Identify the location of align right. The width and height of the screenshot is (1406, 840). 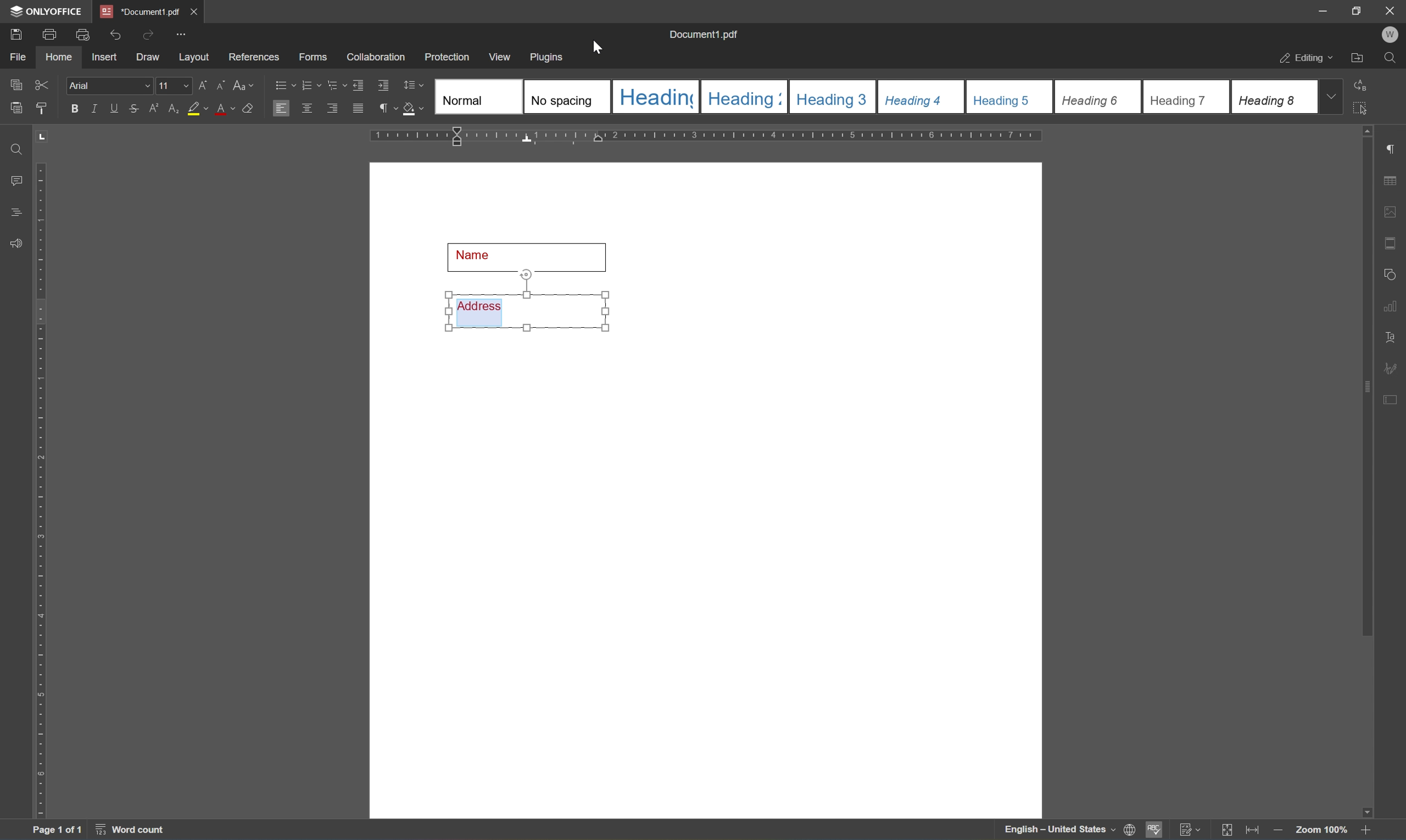
(332, 108).